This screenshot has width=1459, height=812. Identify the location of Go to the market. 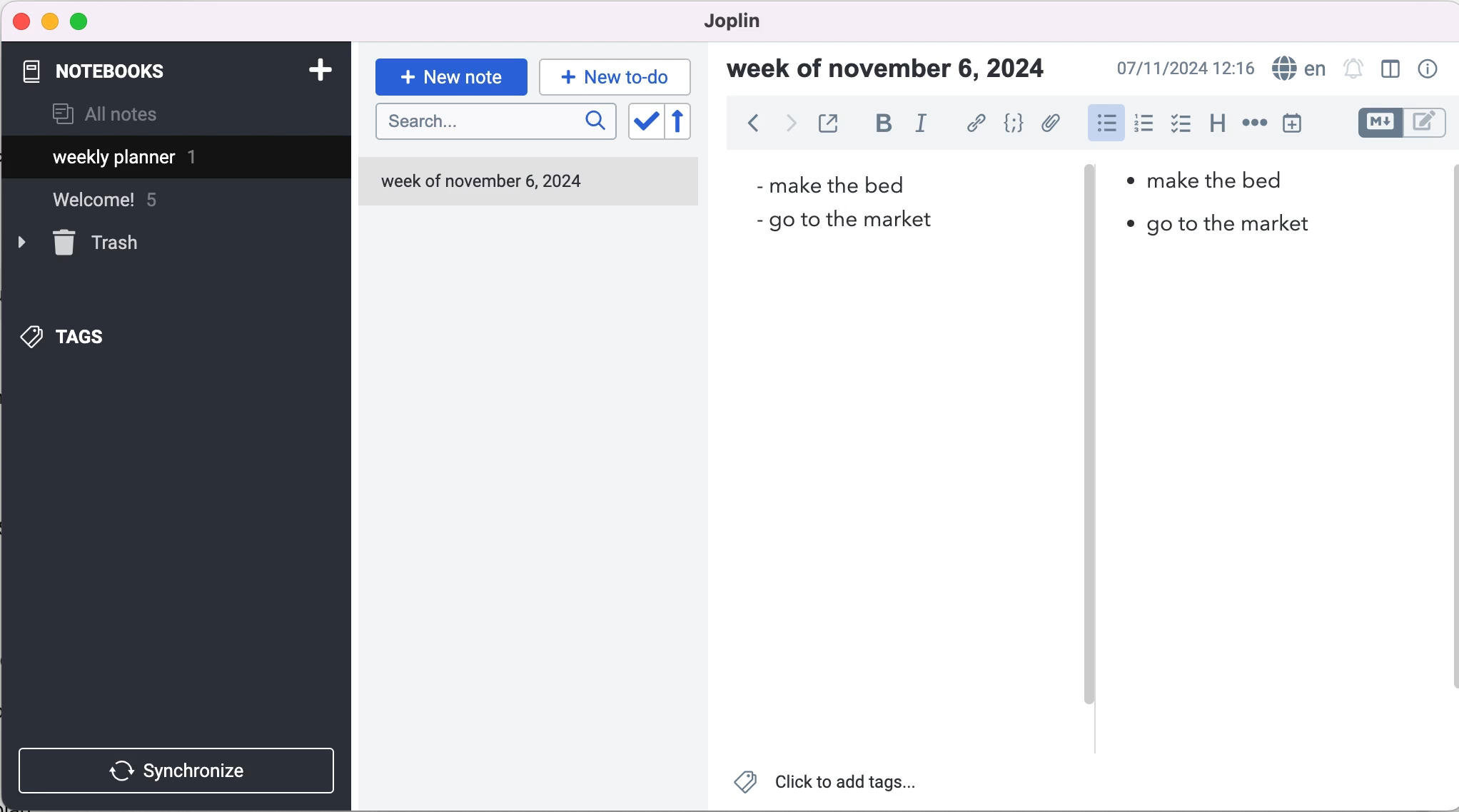
(1212, 225).